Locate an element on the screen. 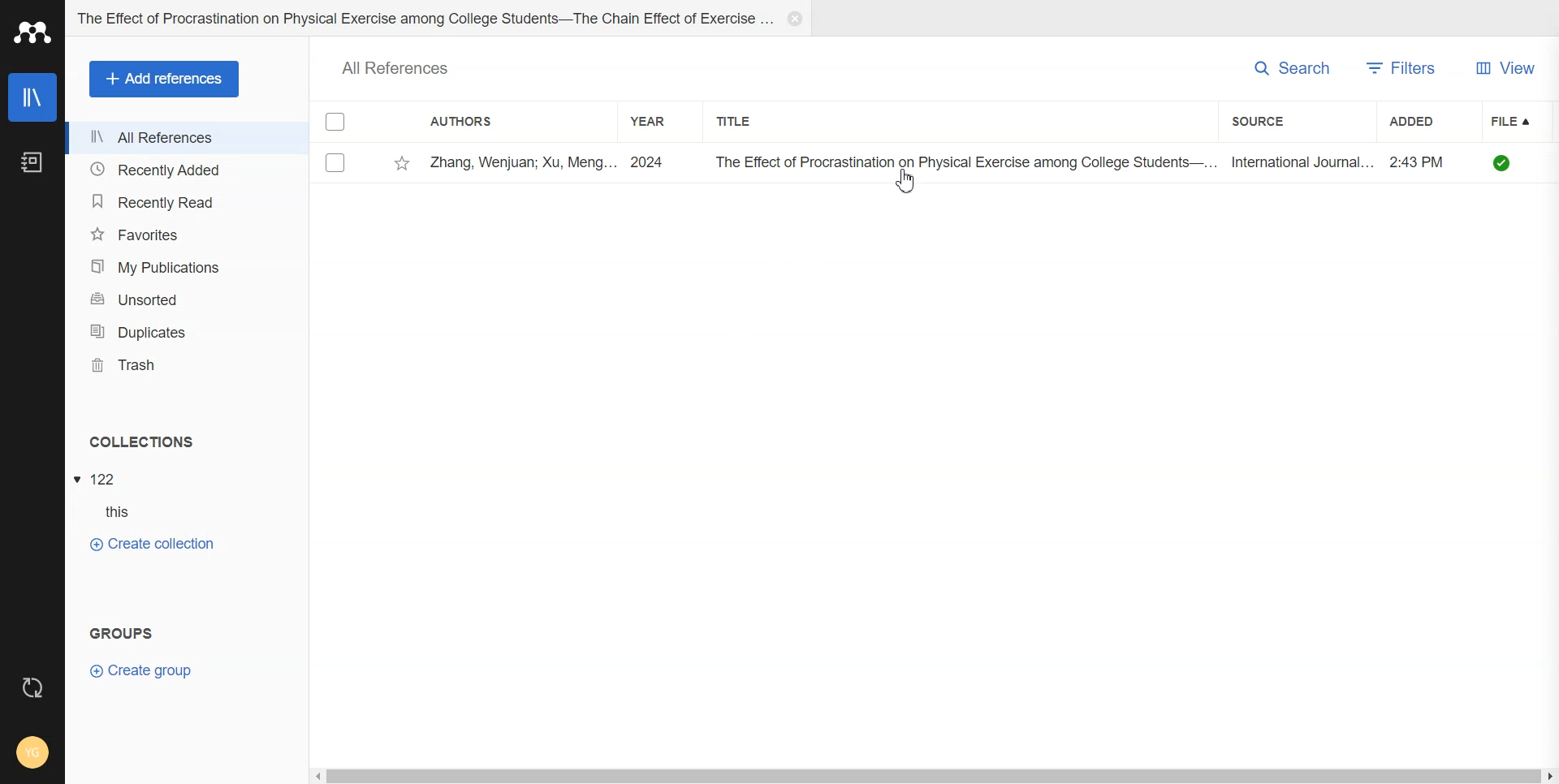 Image resolution: width=1559 pixels, height=784 pixels. Filters is located at coordinates (1407, 68).